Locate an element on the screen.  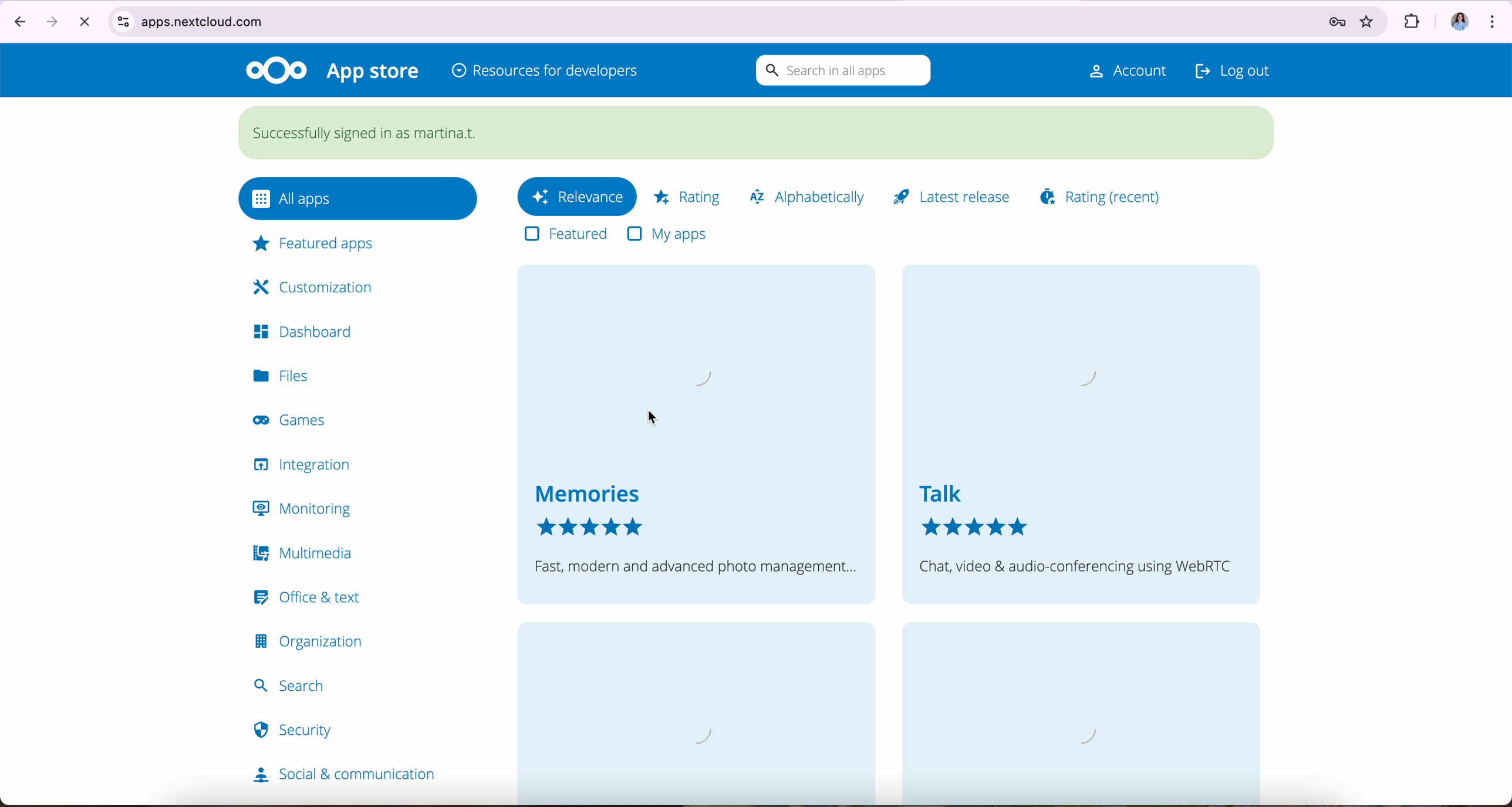
customisation is located at coordinates (305, 285).